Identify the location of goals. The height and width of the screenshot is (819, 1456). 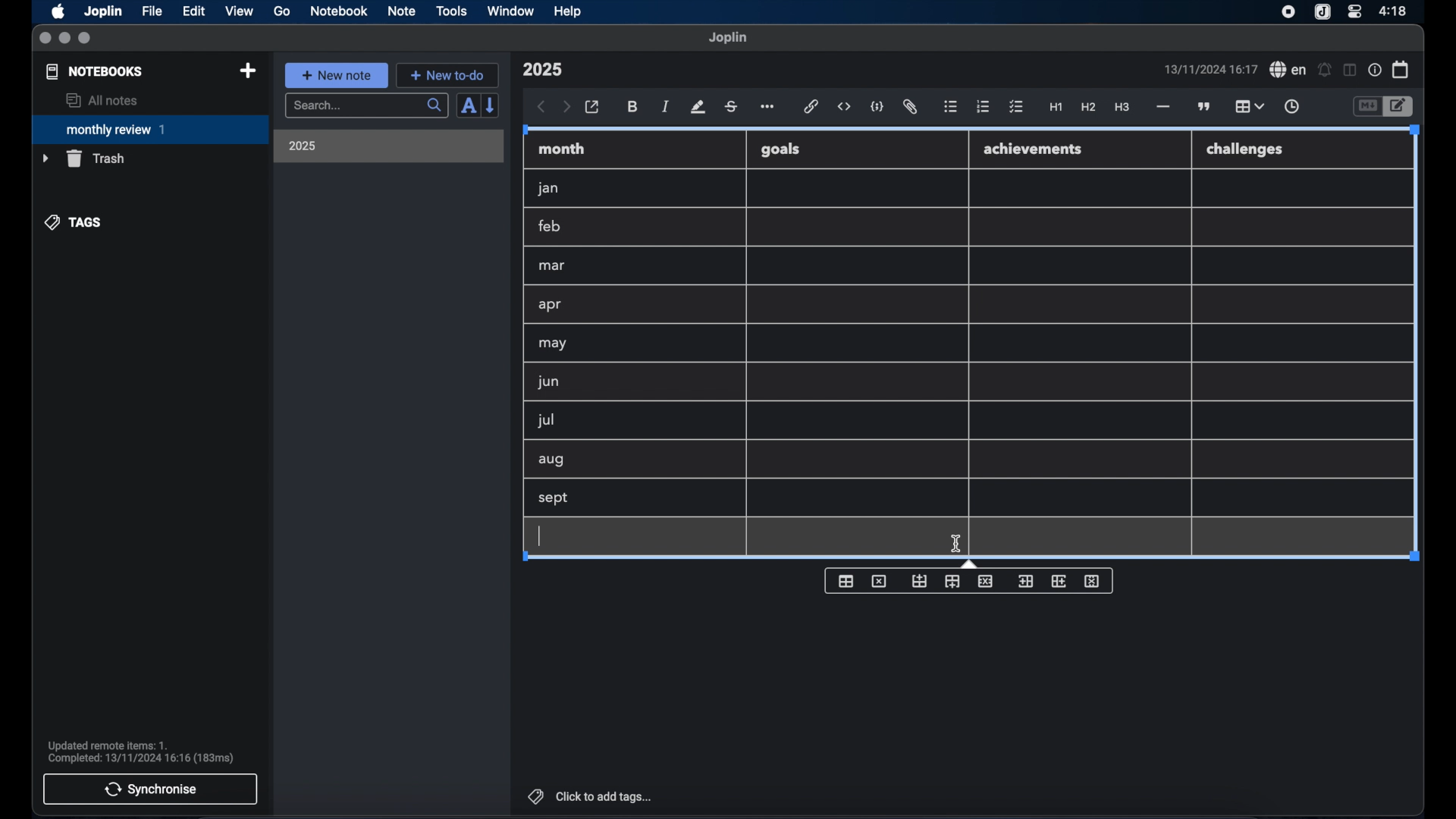
(780, 149).